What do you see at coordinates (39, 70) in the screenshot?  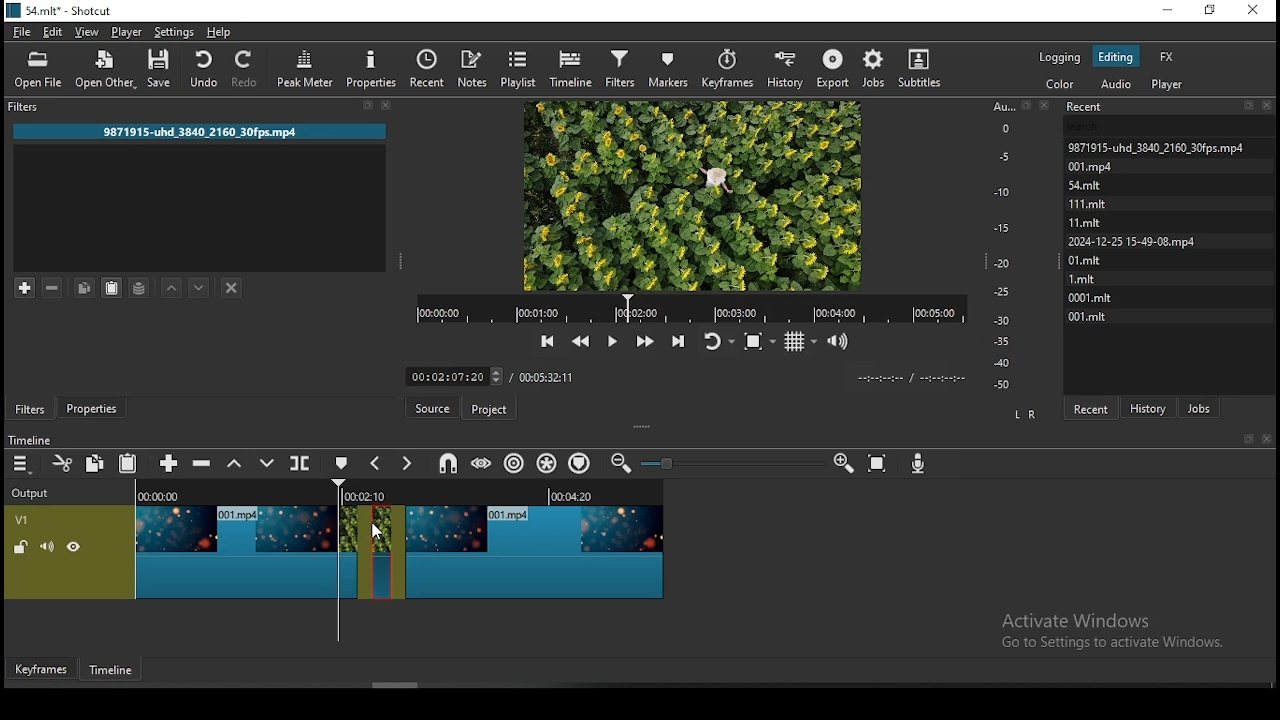 I see `open file` at bounding box center [39, 70].